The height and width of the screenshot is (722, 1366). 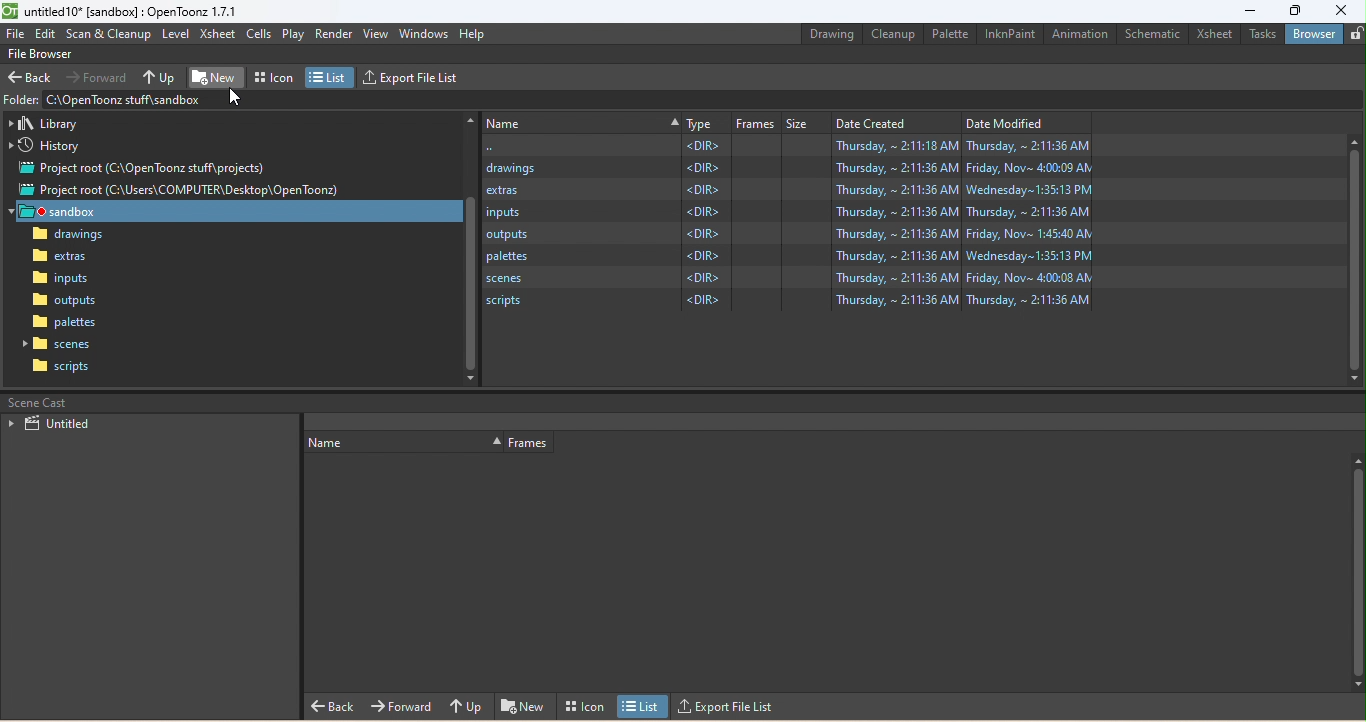 I want to click on Render, so click(x=333, y=32).